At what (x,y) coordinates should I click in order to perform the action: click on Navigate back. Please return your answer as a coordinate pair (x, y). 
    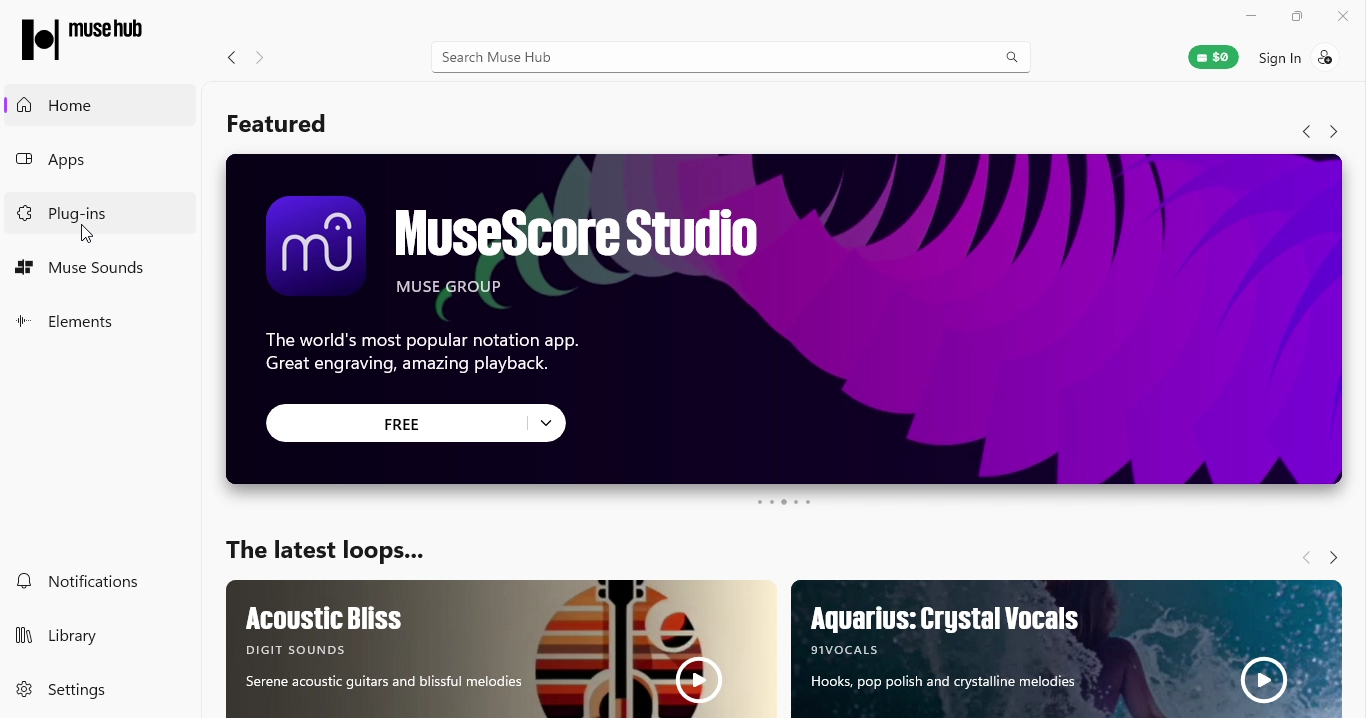
    Looking at the image, I should click on (234, 57).